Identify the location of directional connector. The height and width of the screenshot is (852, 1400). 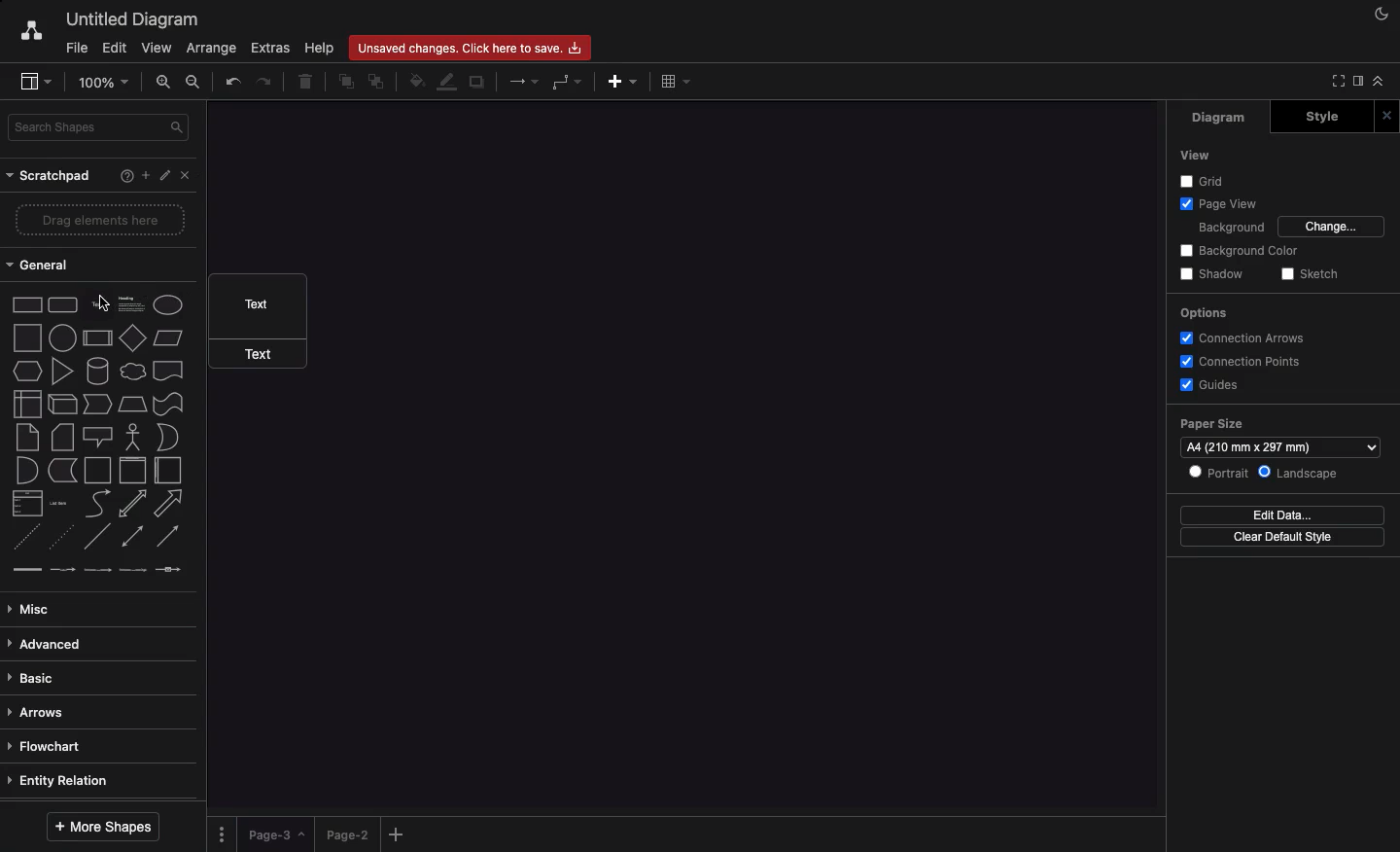
(168, 537).